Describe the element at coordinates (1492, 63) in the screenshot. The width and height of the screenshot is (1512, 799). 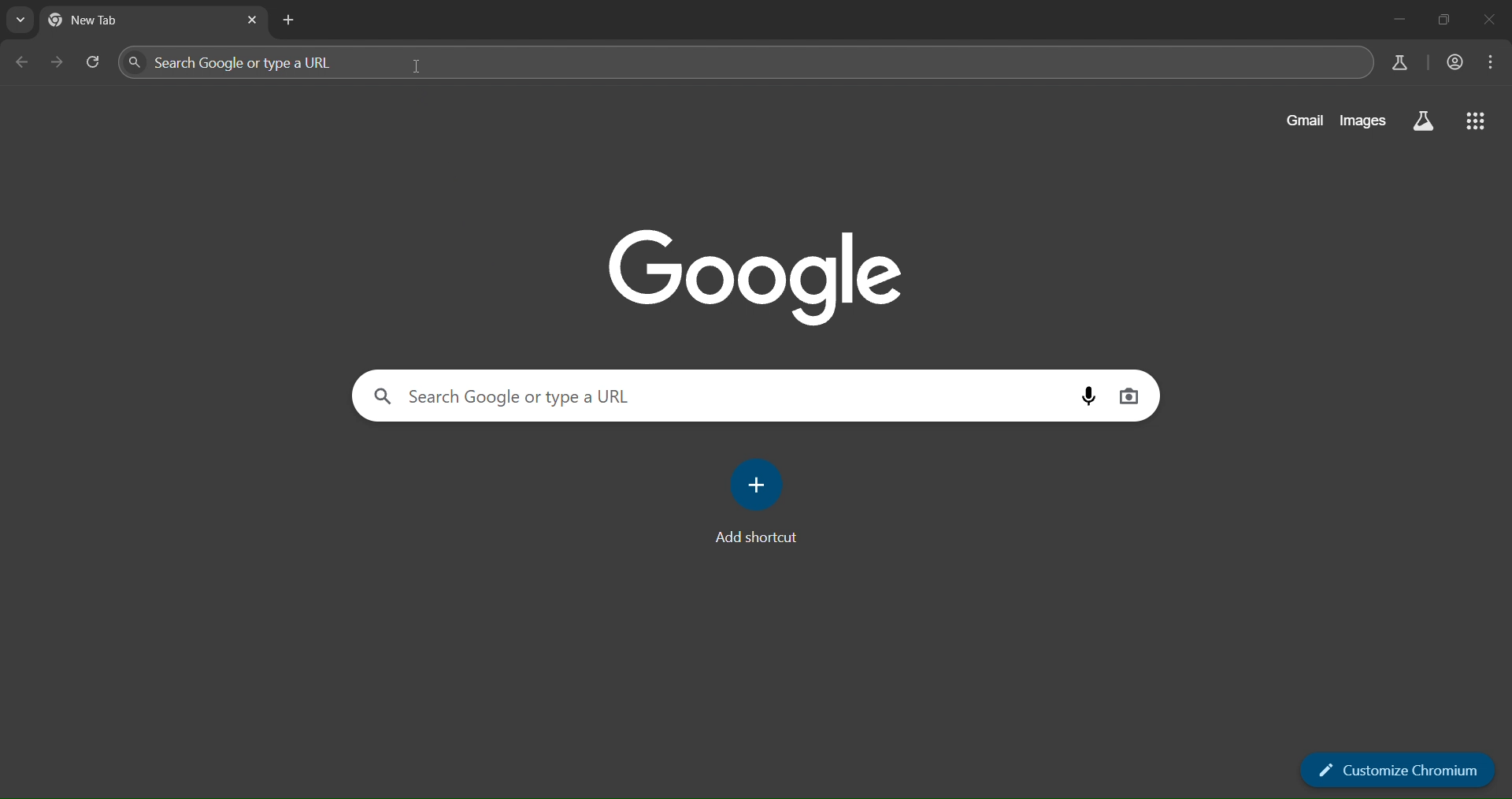
I see `menu` at that location.